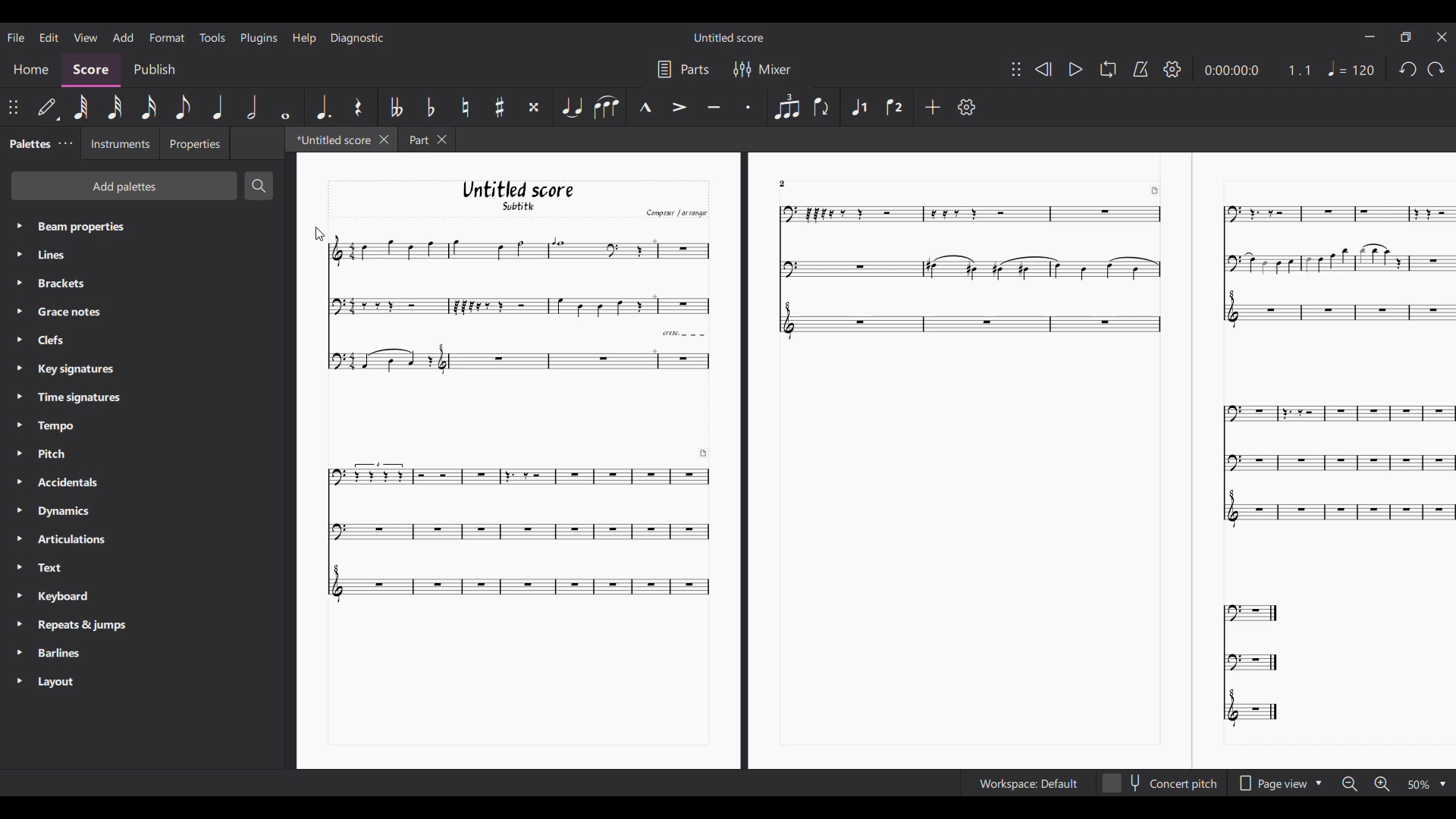  What do you see at coordinates (747, 106) in the screenshot?
I see `Staccato` at bounding box center [747, 106].